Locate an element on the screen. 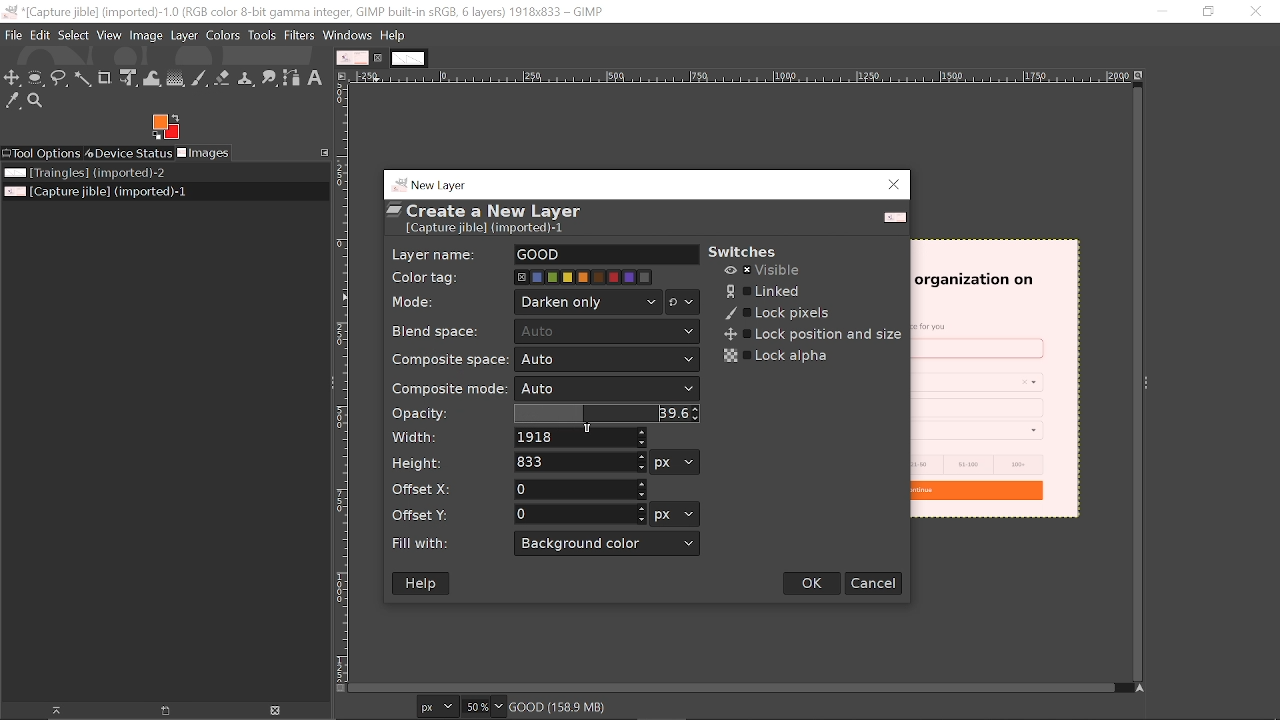 The height and width of the screenshot is (720, 1280). Composite space is located at coordinates (606, 361).